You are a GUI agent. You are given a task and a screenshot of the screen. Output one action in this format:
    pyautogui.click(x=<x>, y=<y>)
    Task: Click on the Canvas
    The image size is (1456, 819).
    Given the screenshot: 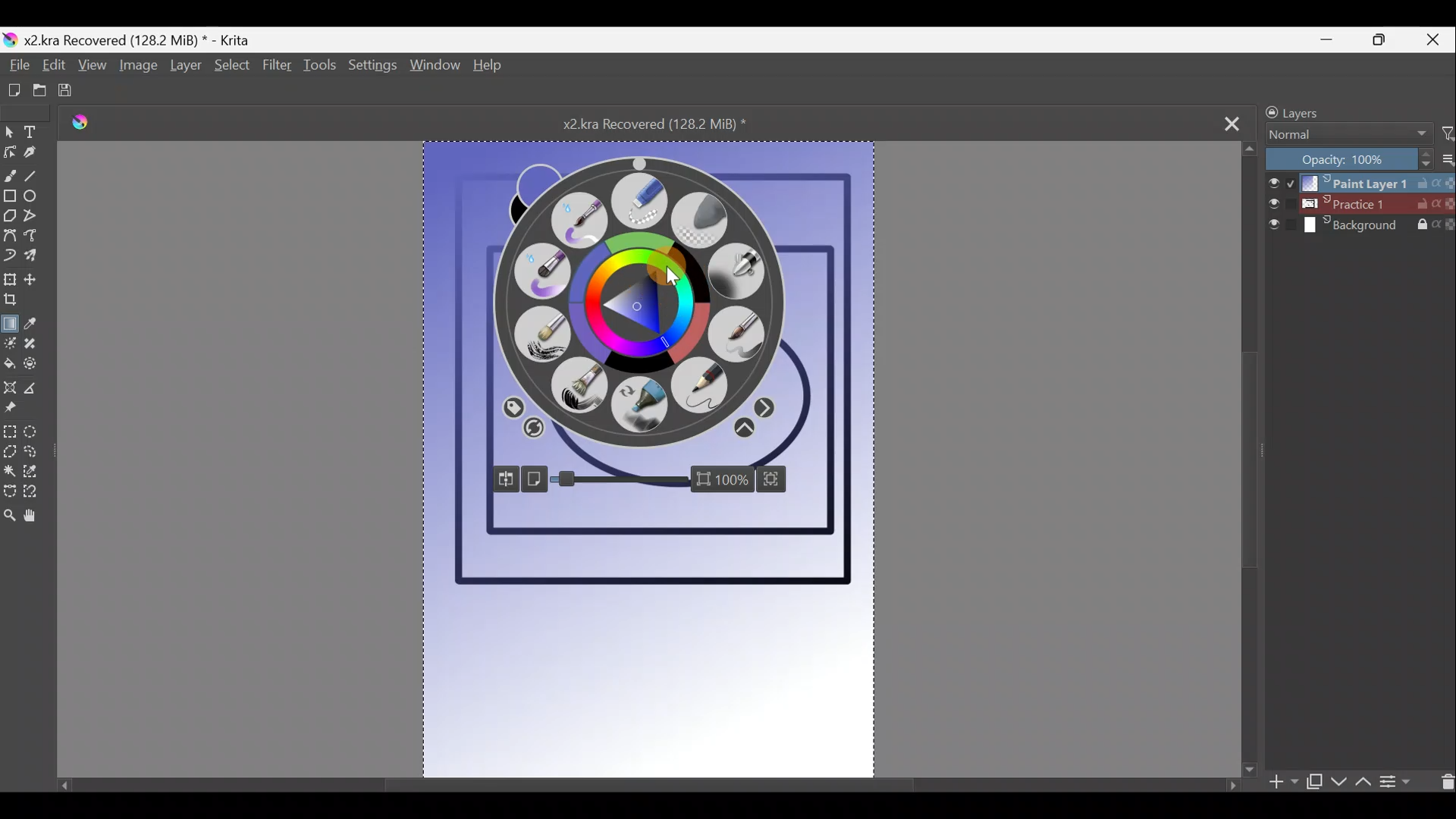 What is the action you would take?
    pyautogui.click(x=648, y=639)
    